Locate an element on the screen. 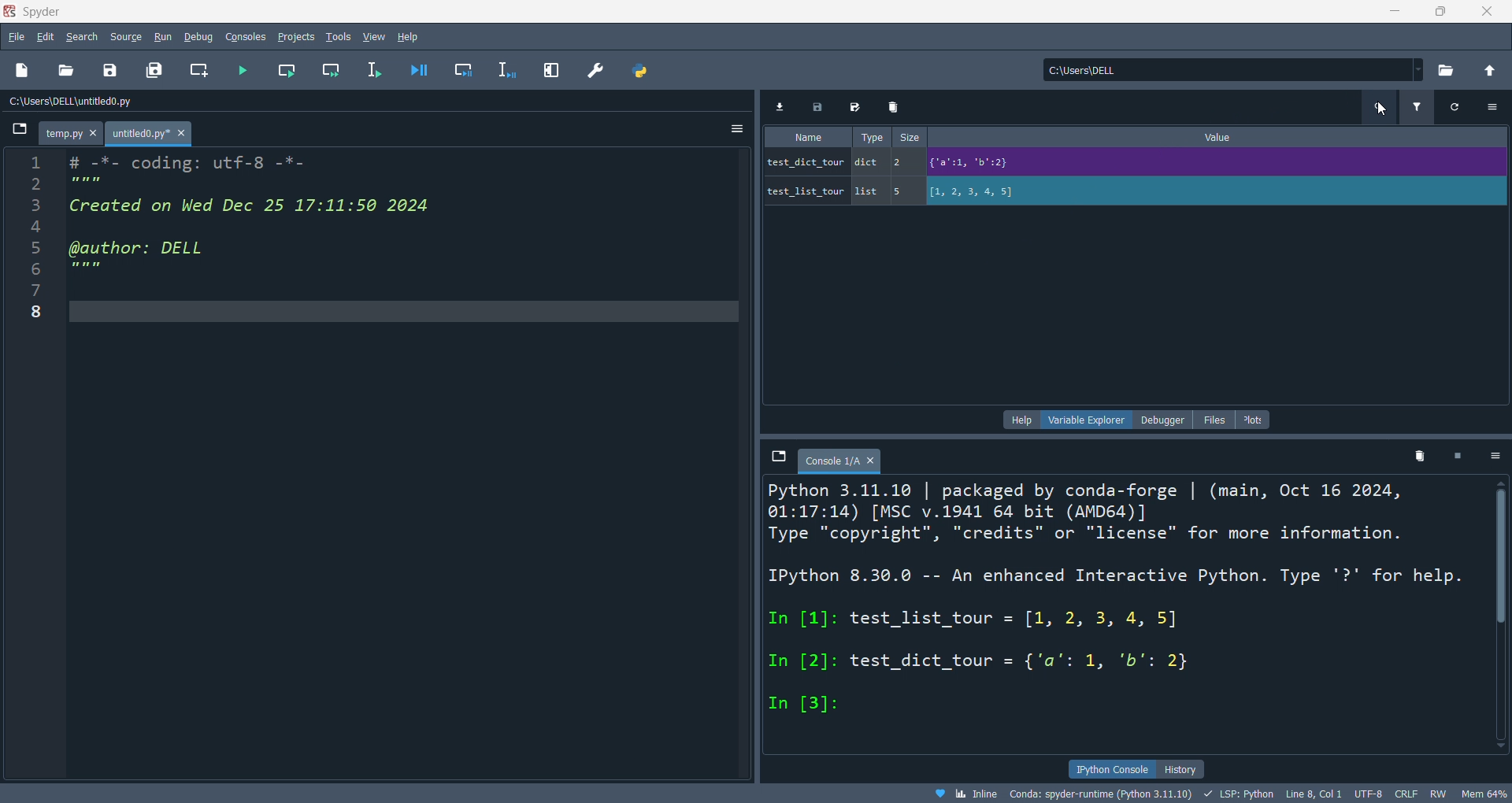  file path is located at coordinates (151, 105).